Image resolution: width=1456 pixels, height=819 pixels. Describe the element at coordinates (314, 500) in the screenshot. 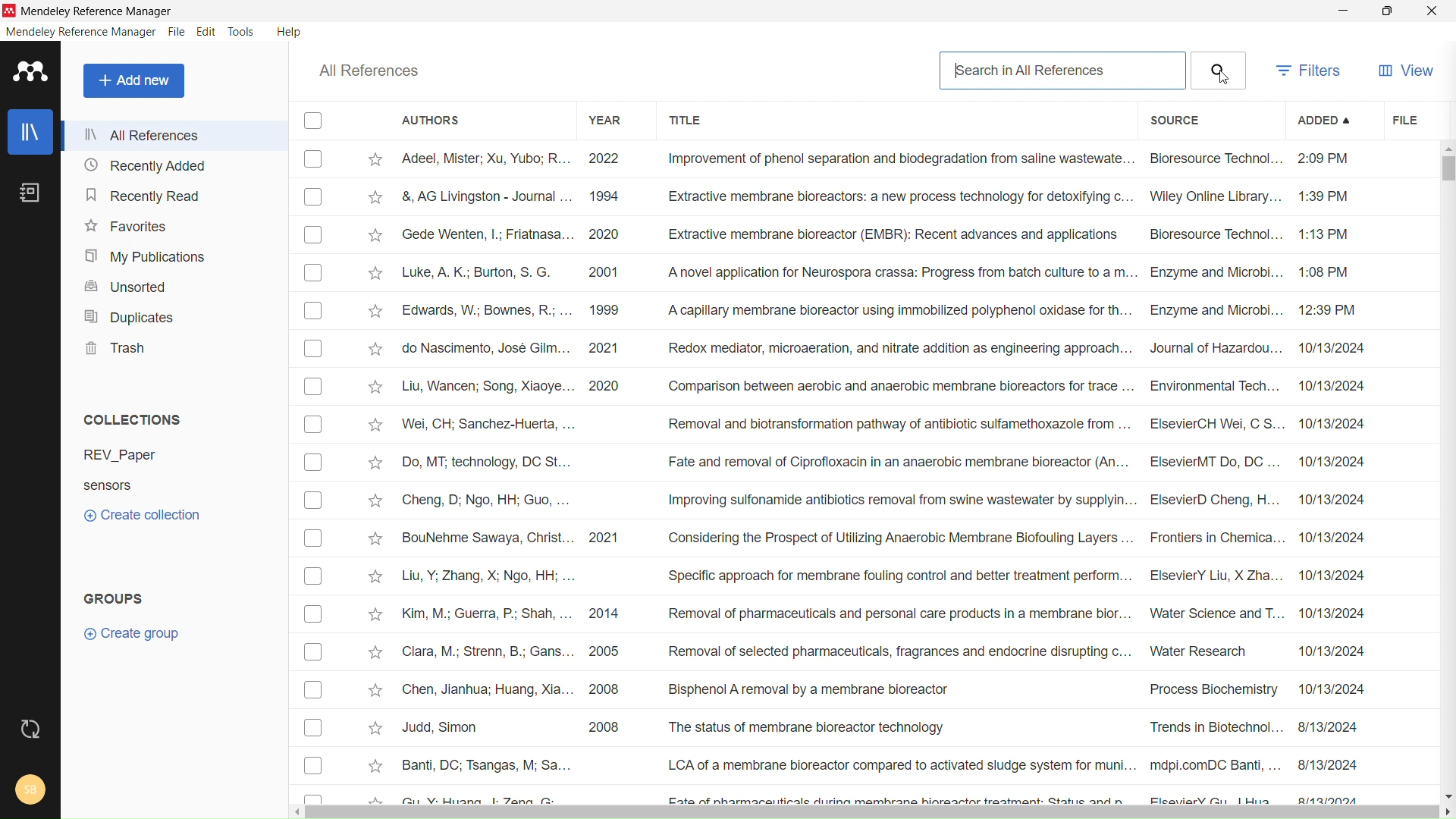

I see `Checkbox` at that location.